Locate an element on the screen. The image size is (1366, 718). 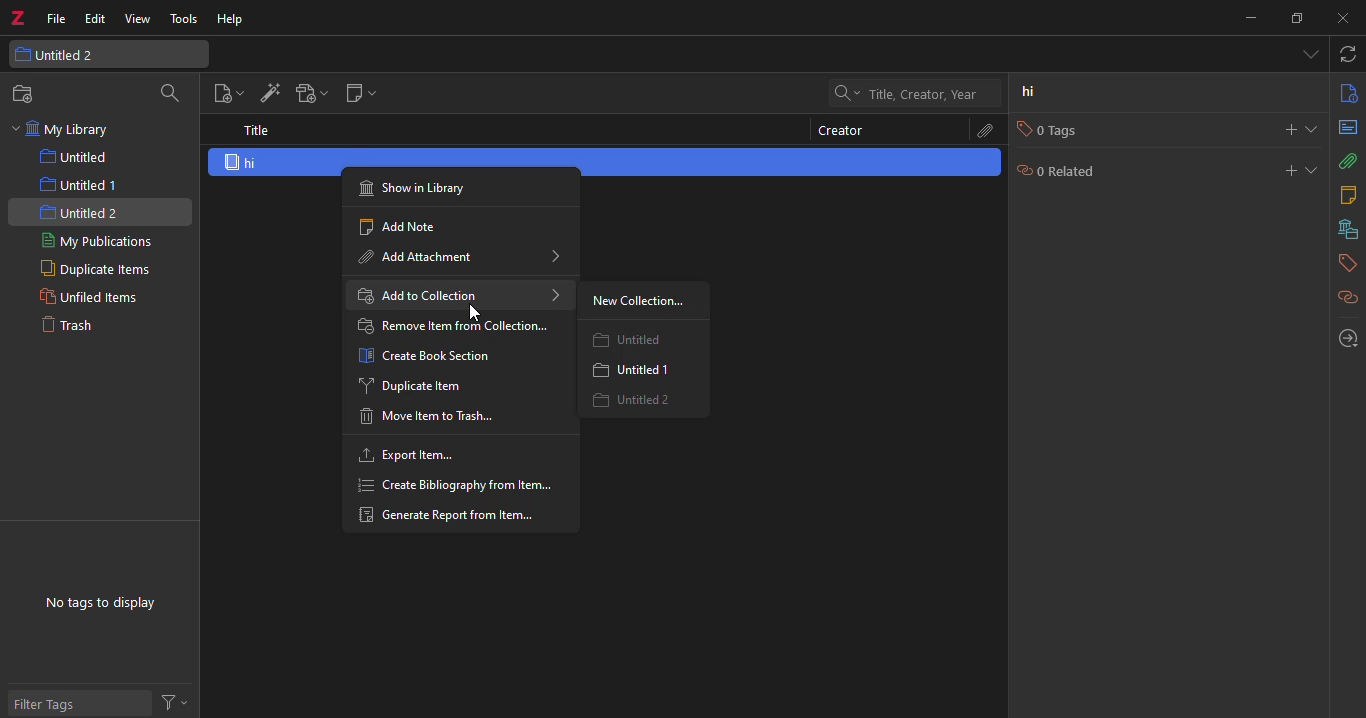
library is located at coordinates (1344, 230).